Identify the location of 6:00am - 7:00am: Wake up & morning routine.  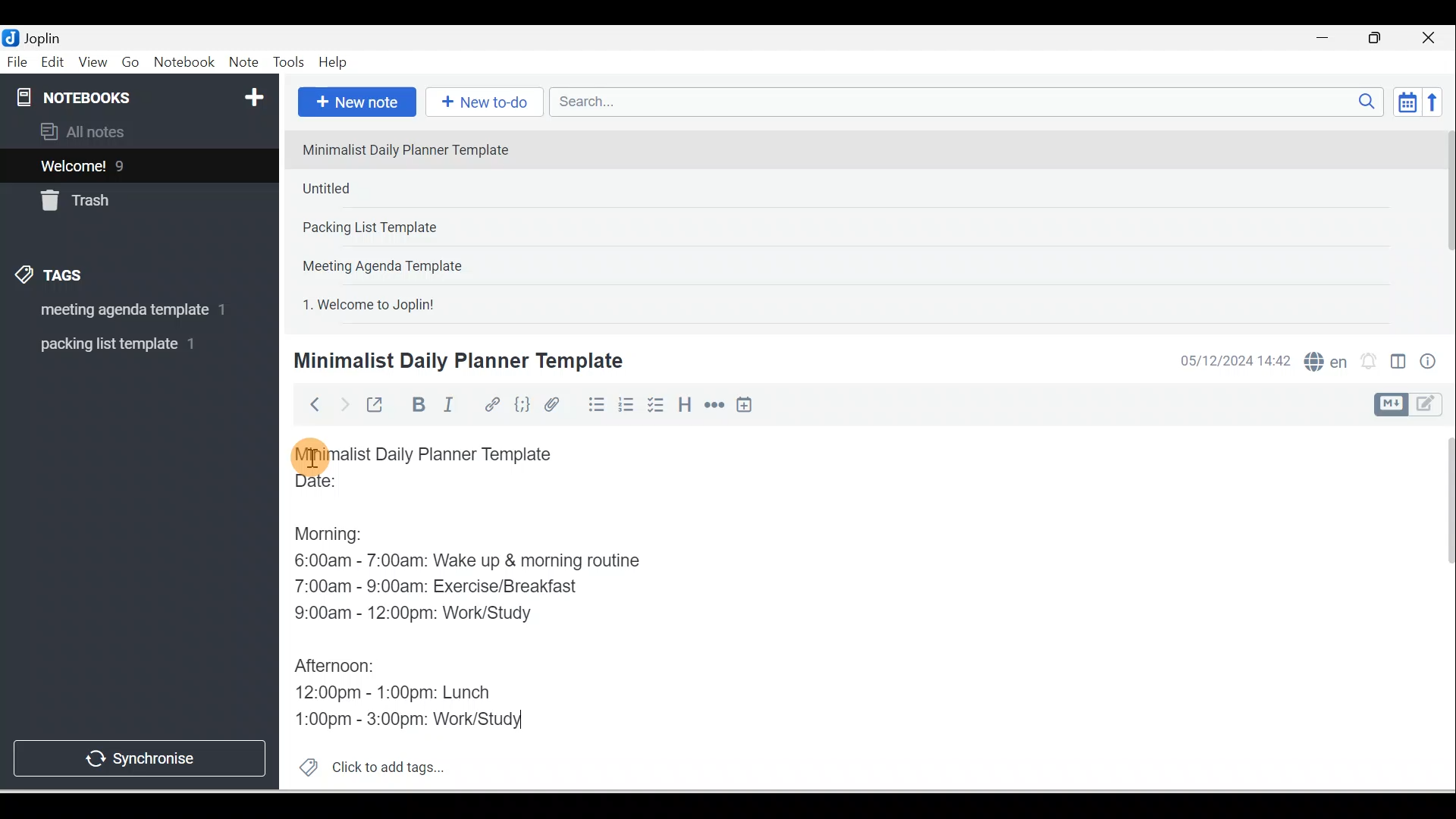
(472, 560).